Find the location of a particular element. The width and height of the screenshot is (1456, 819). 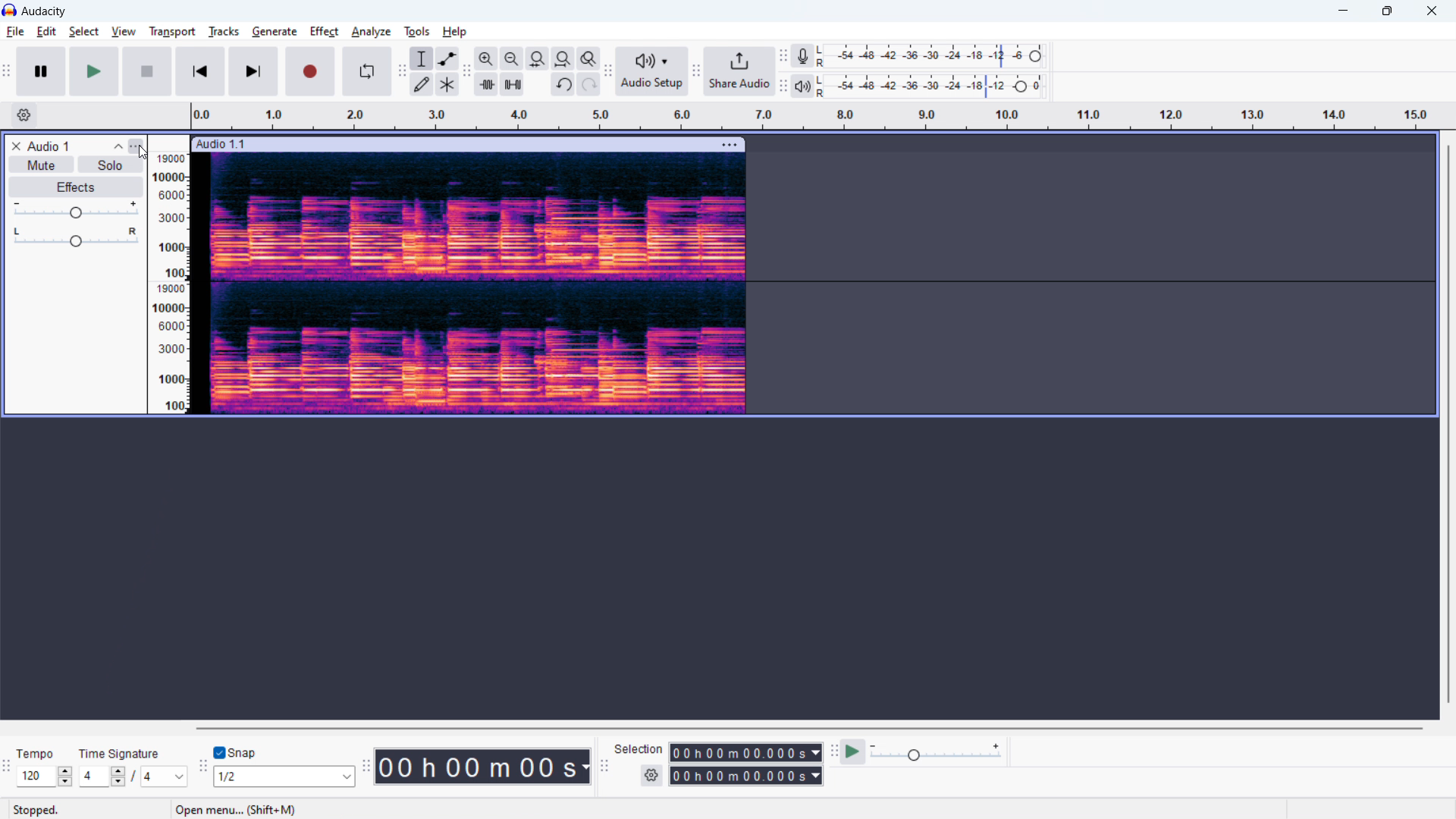

collapse is located at coordinates (118, 146).